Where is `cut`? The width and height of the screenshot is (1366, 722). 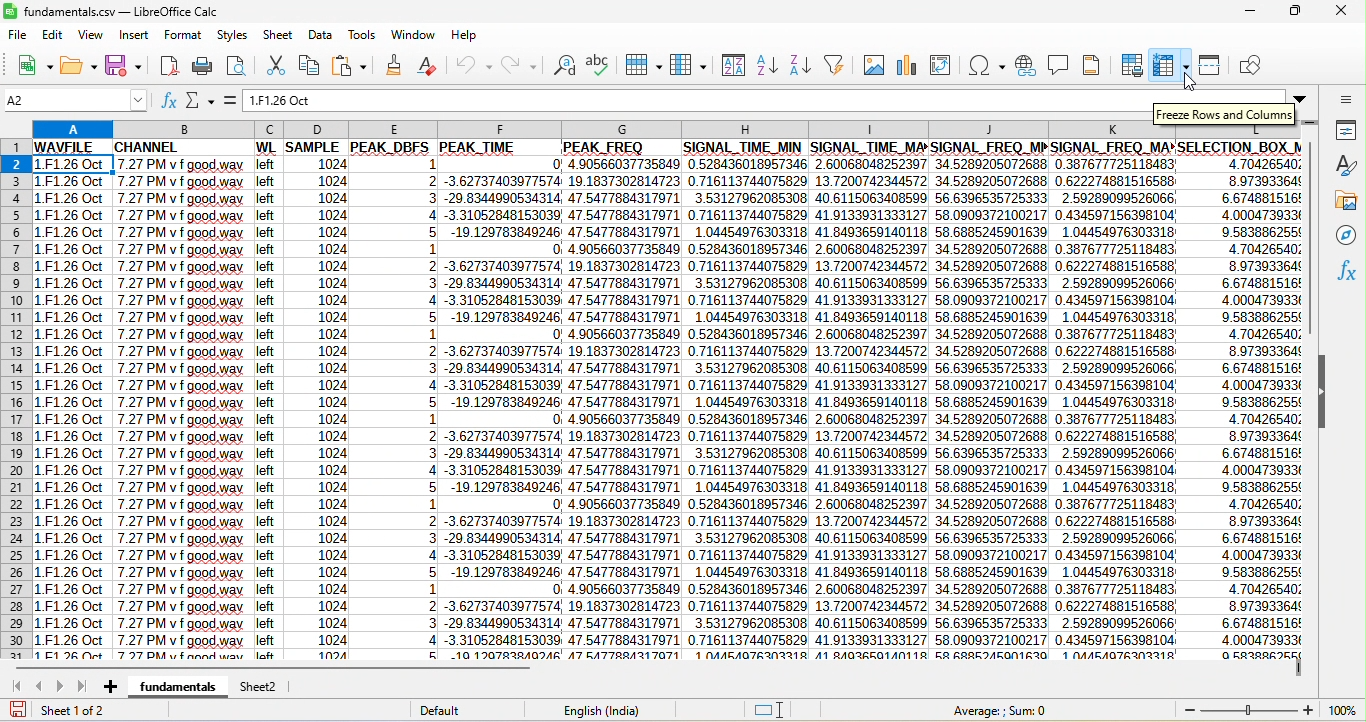
cut is located at coordinates (274, 64).